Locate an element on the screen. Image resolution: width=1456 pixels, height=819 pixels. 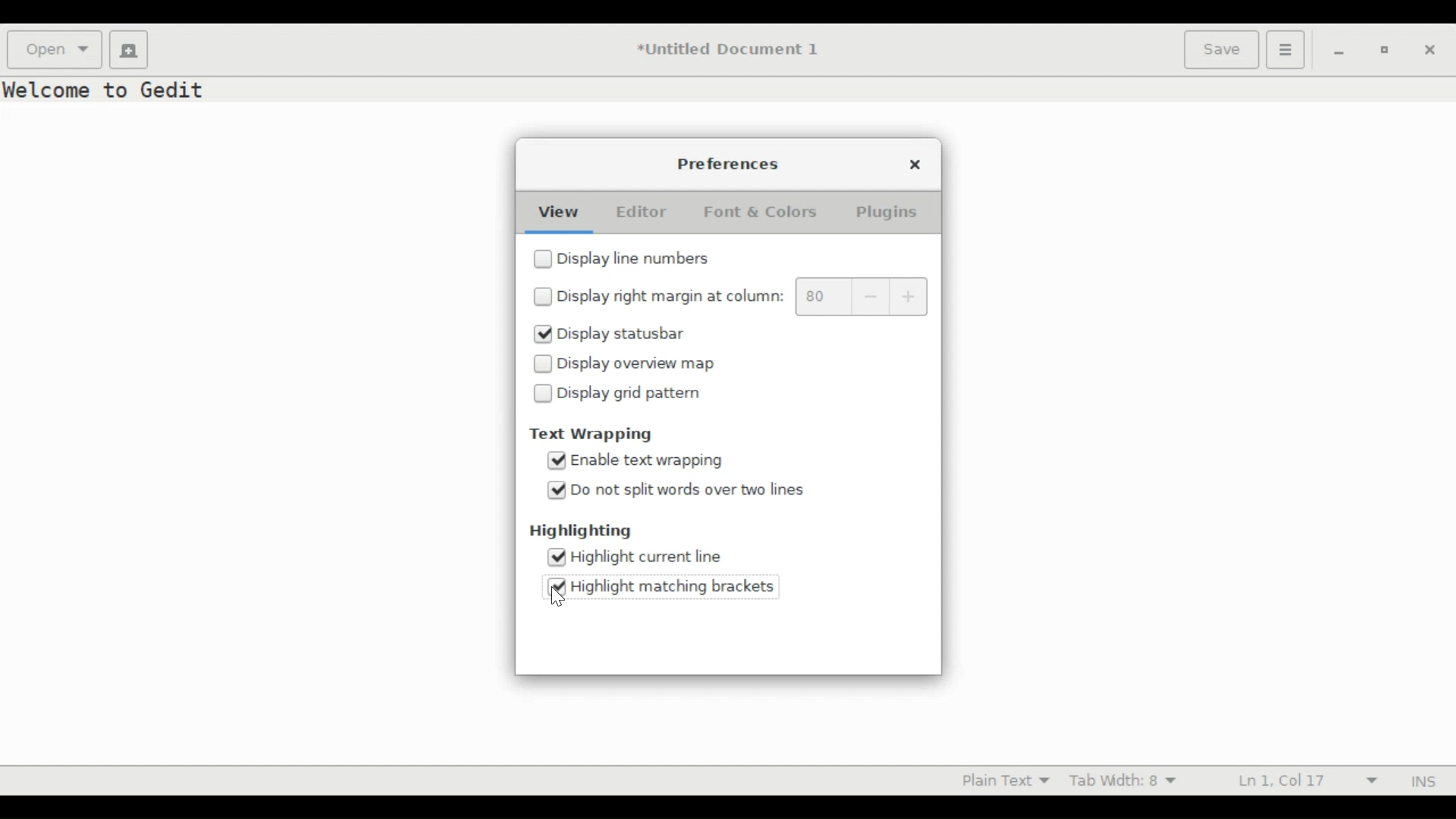
decrease is located at coordinates (867, 297).